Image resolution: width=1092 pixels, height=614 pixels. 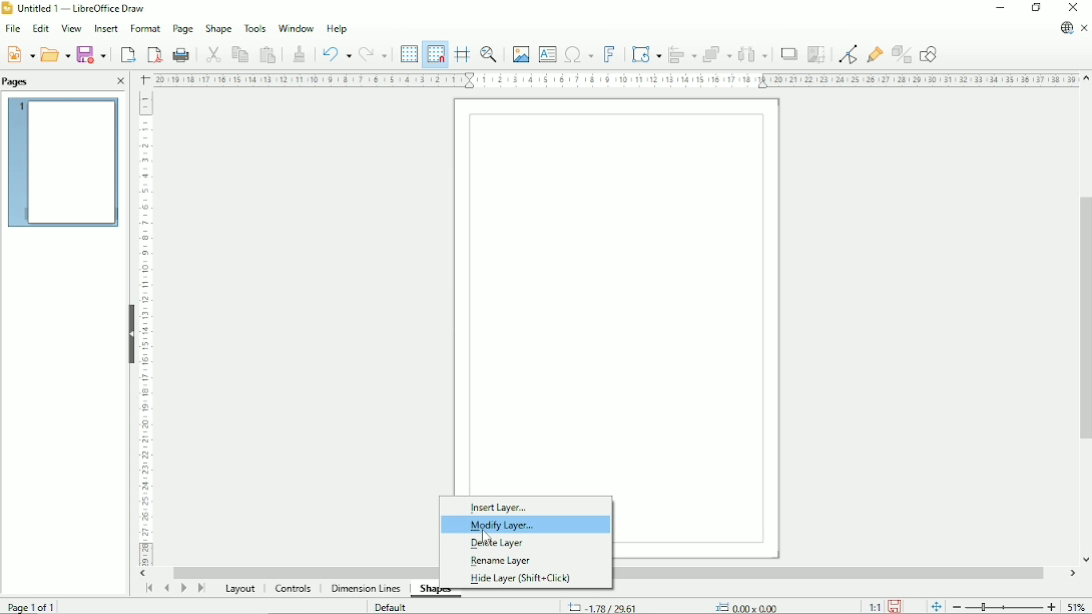 What do you see at coordinates (433, 589) in the screenshot?
I see `Shapes` at bounding box center [433, 589].